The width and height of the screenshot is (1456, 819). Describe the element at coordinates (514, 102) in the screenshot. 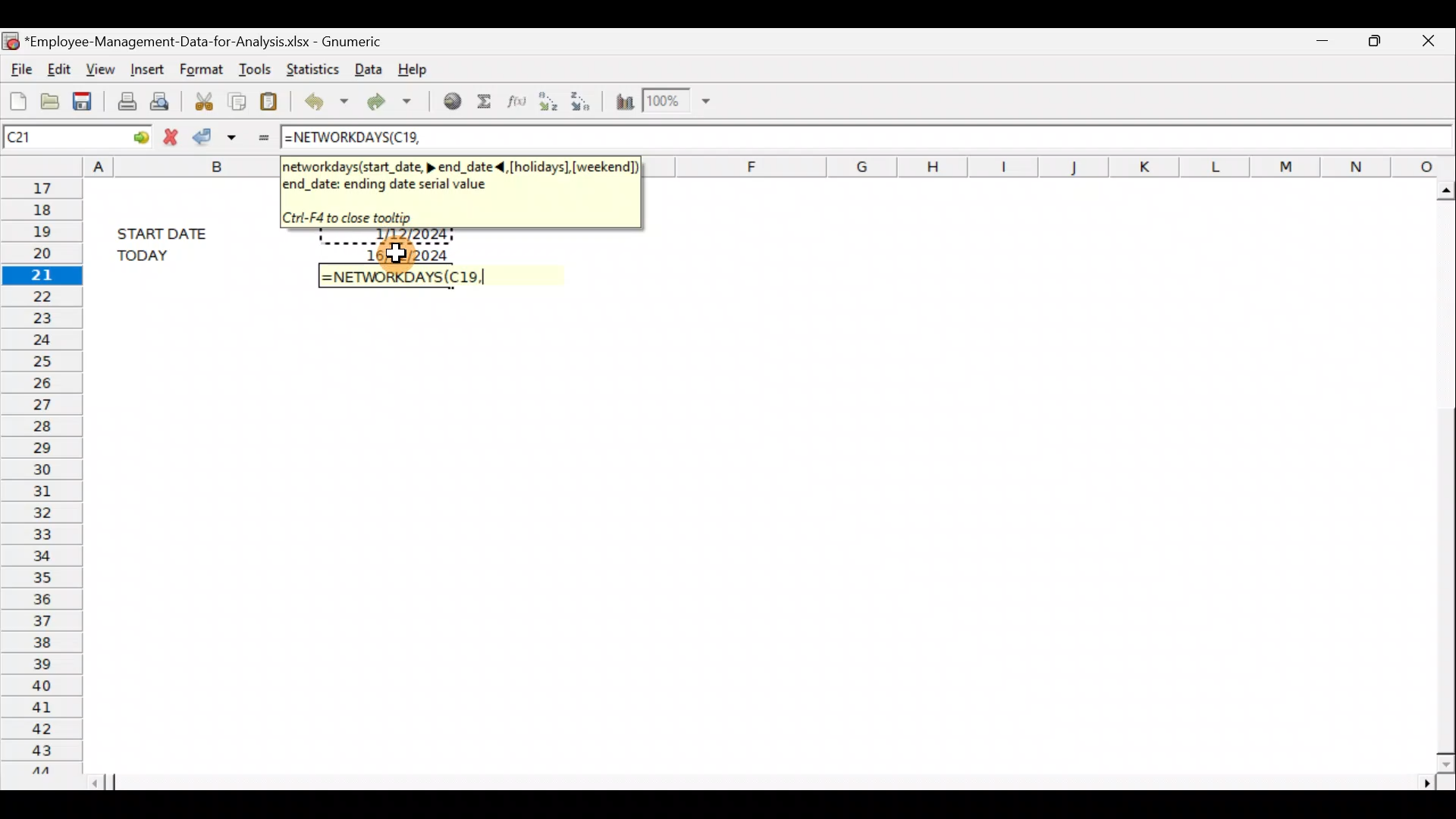

I see `Edit a function in the current cell` at that location.